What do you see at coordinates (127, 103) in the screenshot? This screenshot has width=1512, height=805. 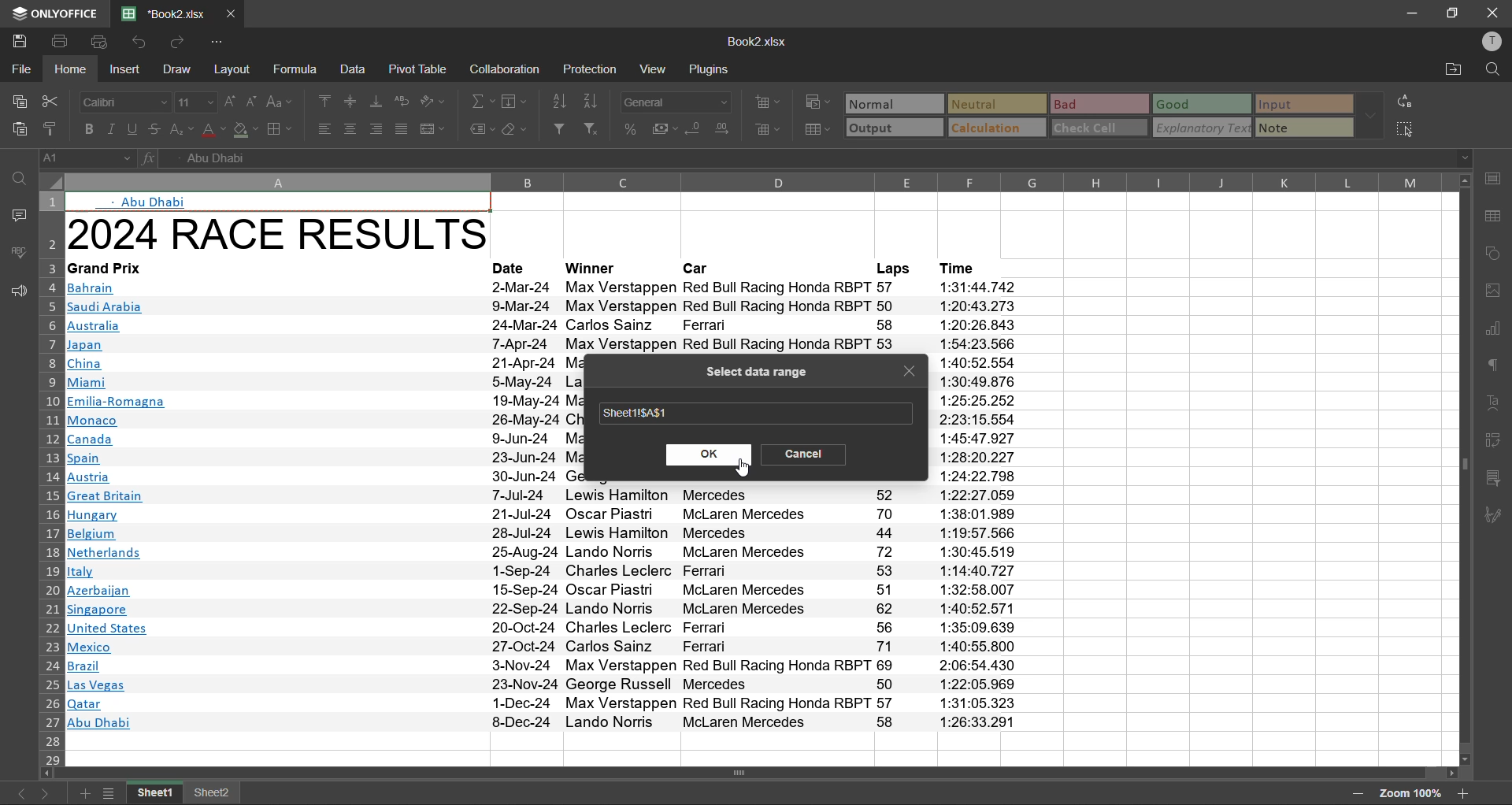 I see `font style` at bounding box center [127, 103].